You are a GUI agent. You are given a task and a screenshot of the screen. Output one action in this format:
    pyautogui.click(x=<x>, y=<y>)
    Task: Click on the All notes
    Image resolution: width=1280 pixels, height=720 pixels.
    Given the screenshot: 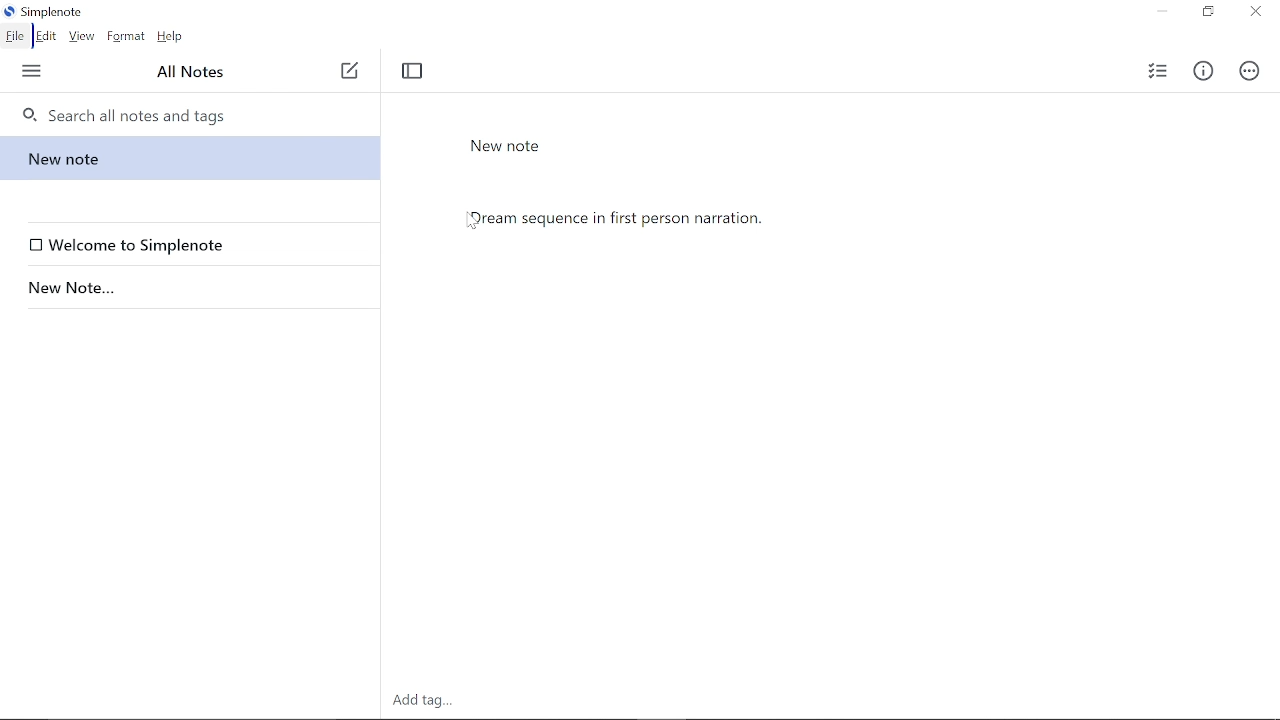 What is the action you would take?
    pyautogui.click(x=194, y=73)
    